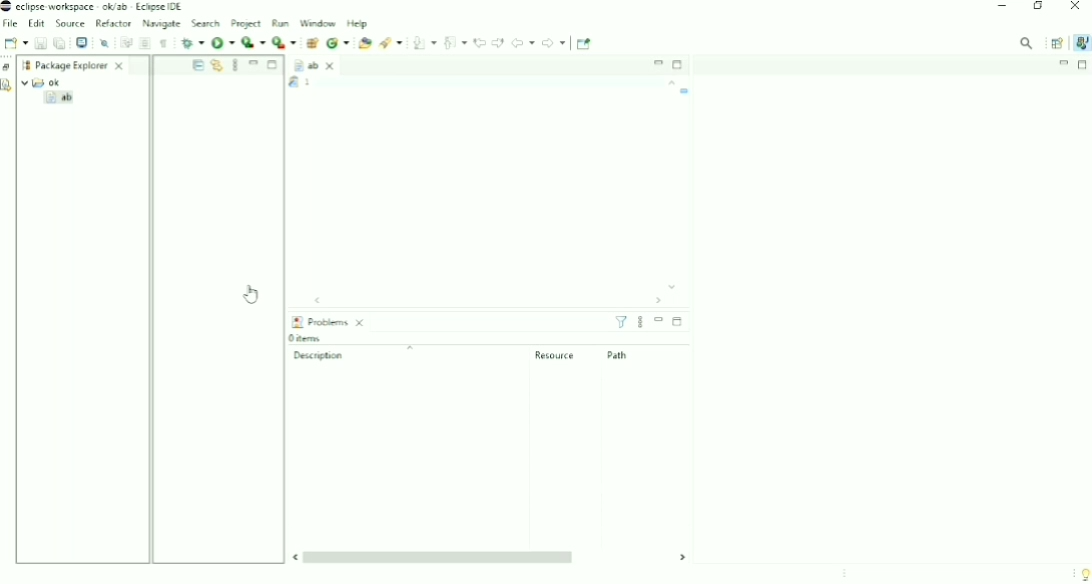 Image resolution: width=1092 pixels, height=584 pixels. What do you see at coordinates (254, 63) in the screenshot?
I see `Minimize` at bounding box center [254, 63].